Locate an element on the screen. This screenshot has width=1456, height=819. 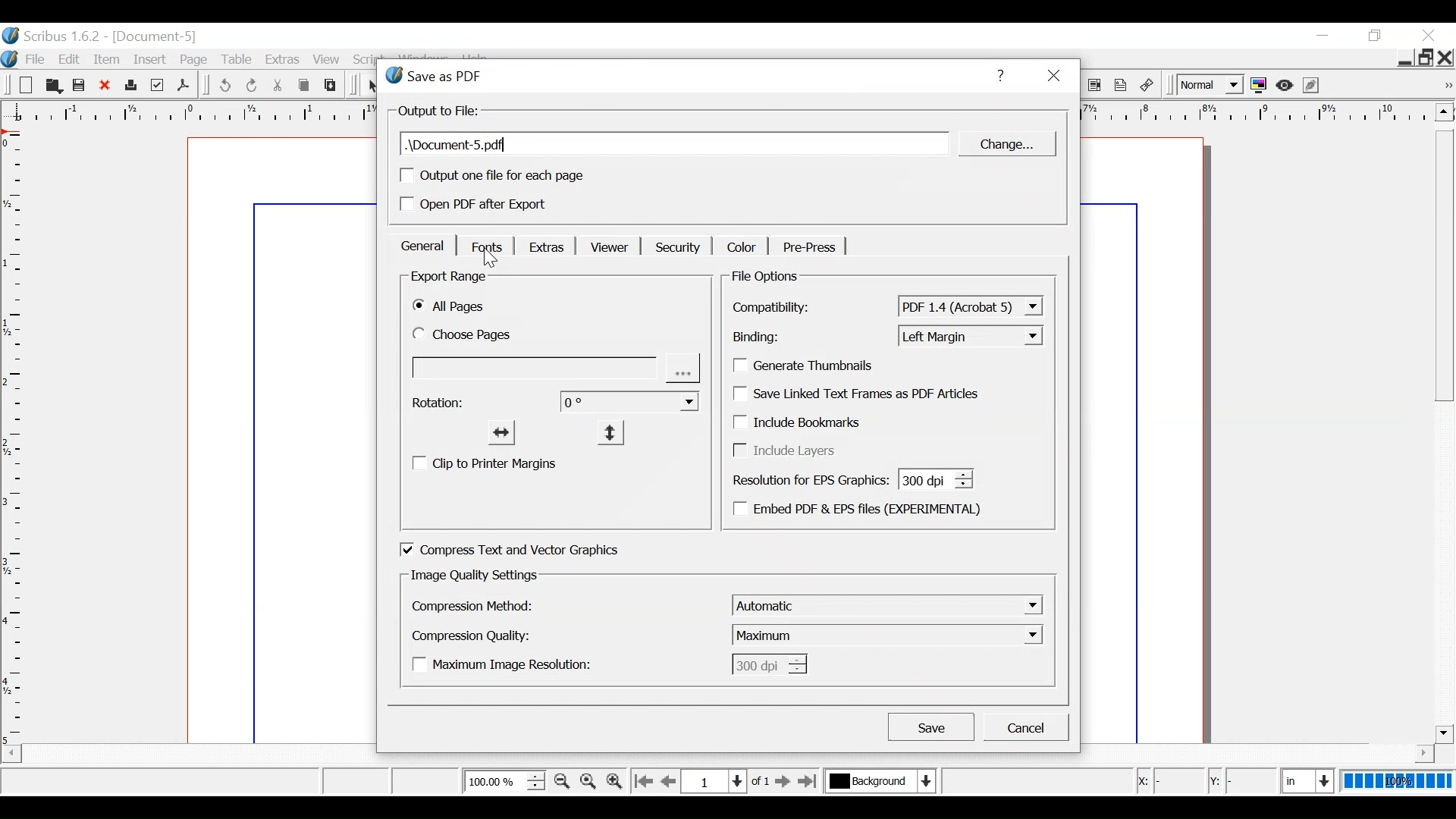
minimize is located at coordinates (1322, 36).